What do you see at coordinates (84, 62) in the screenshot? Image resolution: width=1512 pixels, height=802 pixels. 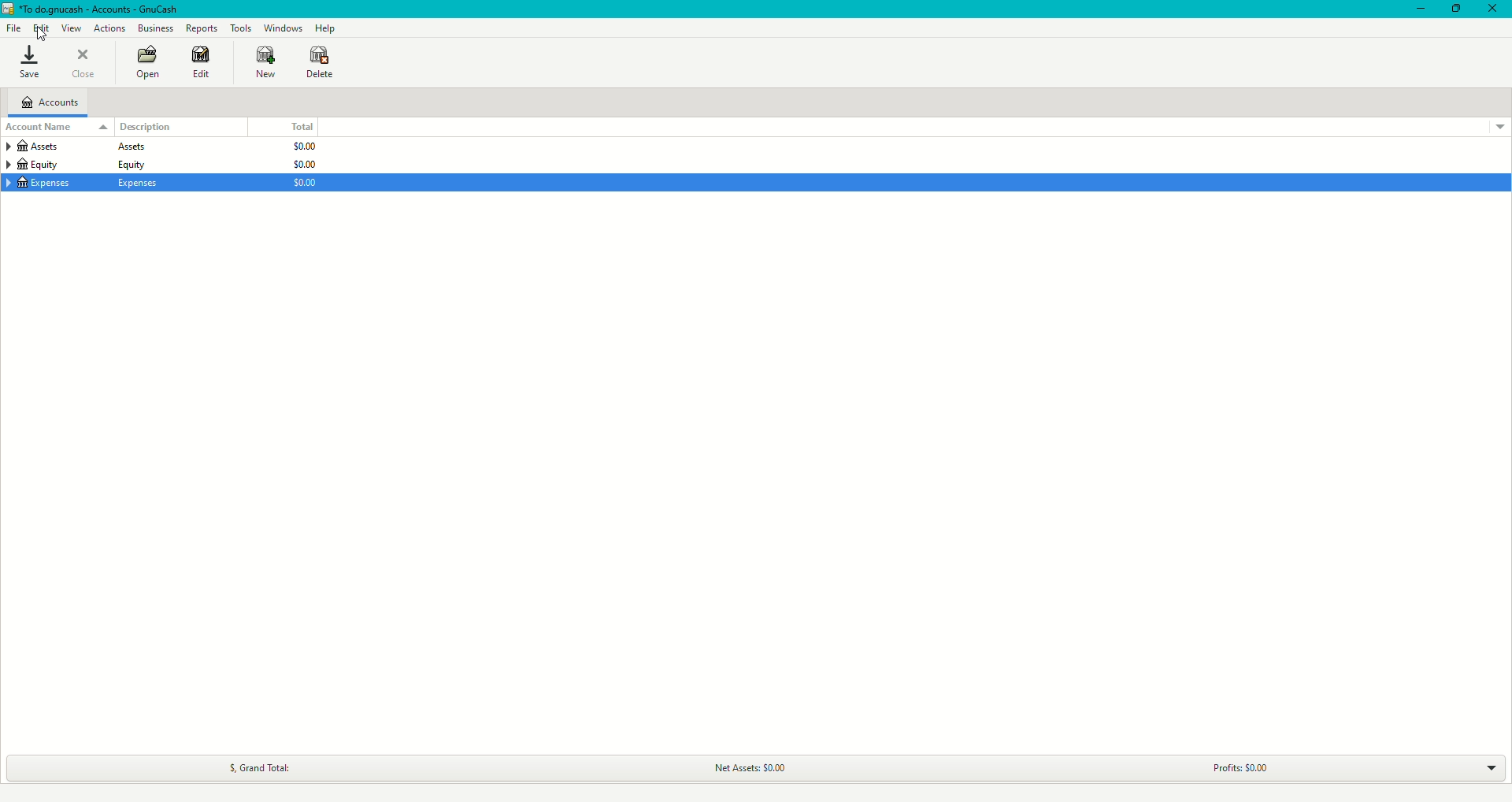 I see `Close` at bounding box center [84, 62].